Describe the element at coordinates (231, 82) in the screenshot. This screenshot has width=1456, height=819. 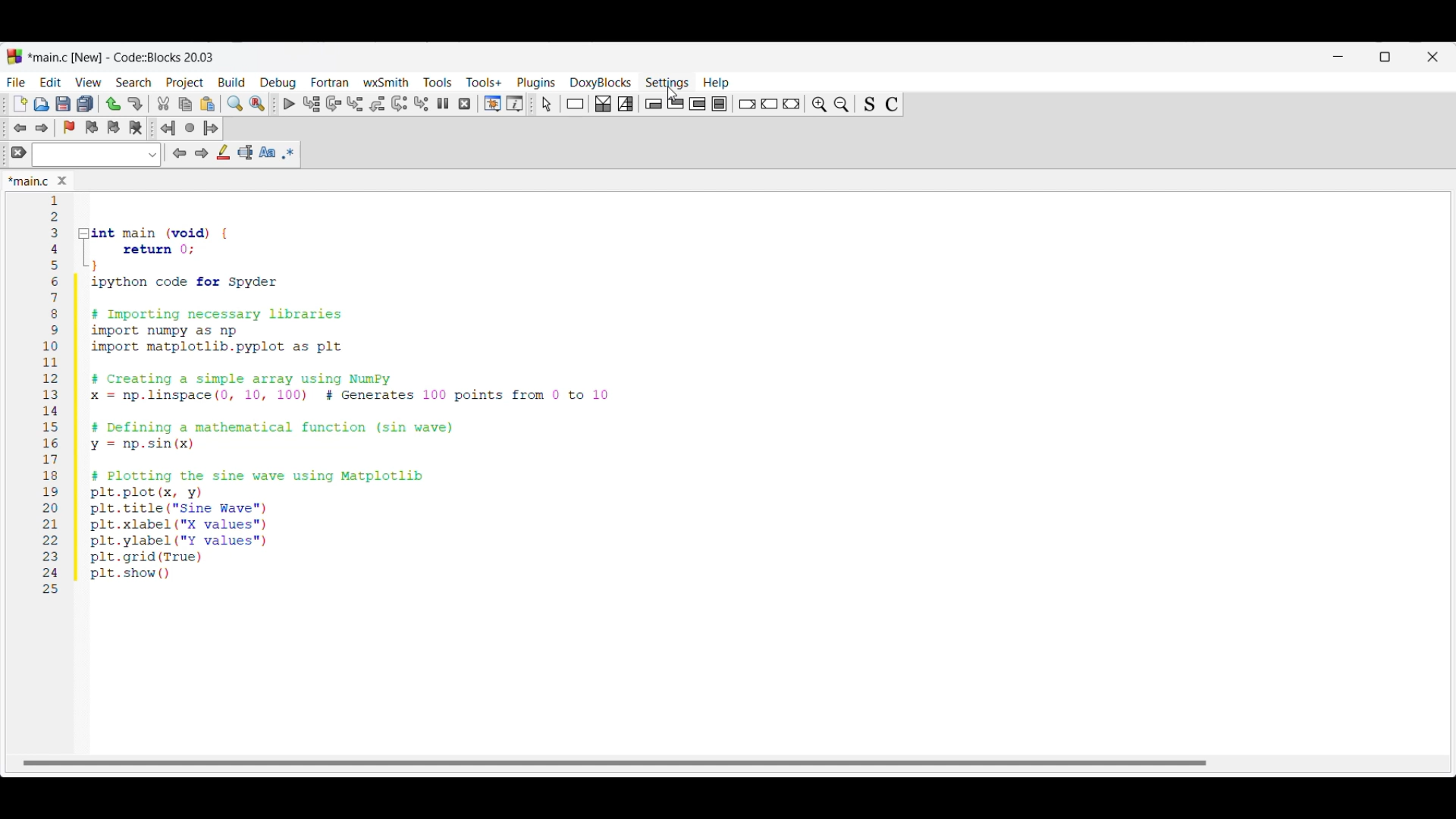
I see `Build menu` at that location.